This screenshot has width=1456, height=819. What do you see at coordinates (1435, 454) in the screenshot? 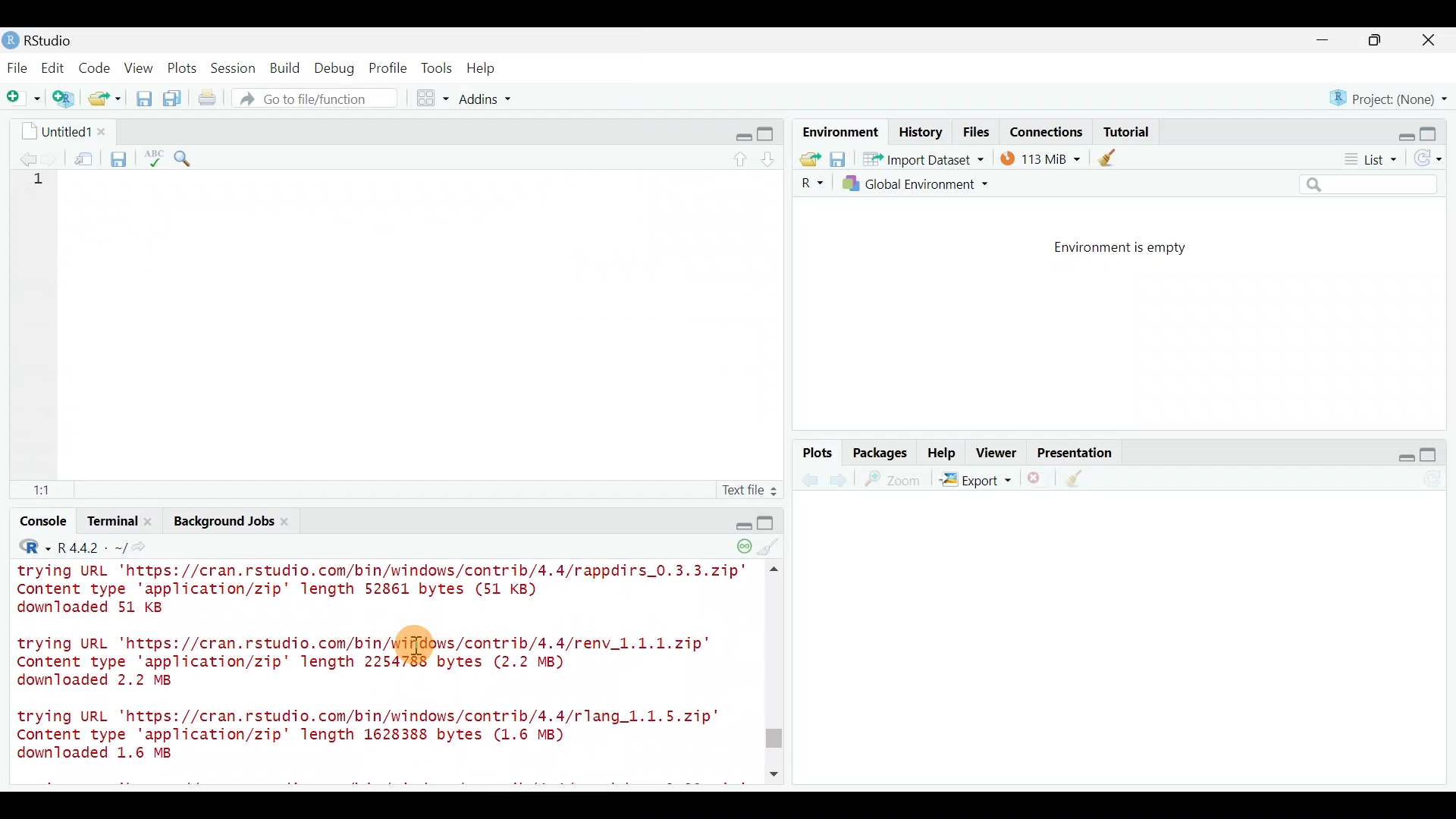
I see `maximize` at bounding box center [1435, 454].